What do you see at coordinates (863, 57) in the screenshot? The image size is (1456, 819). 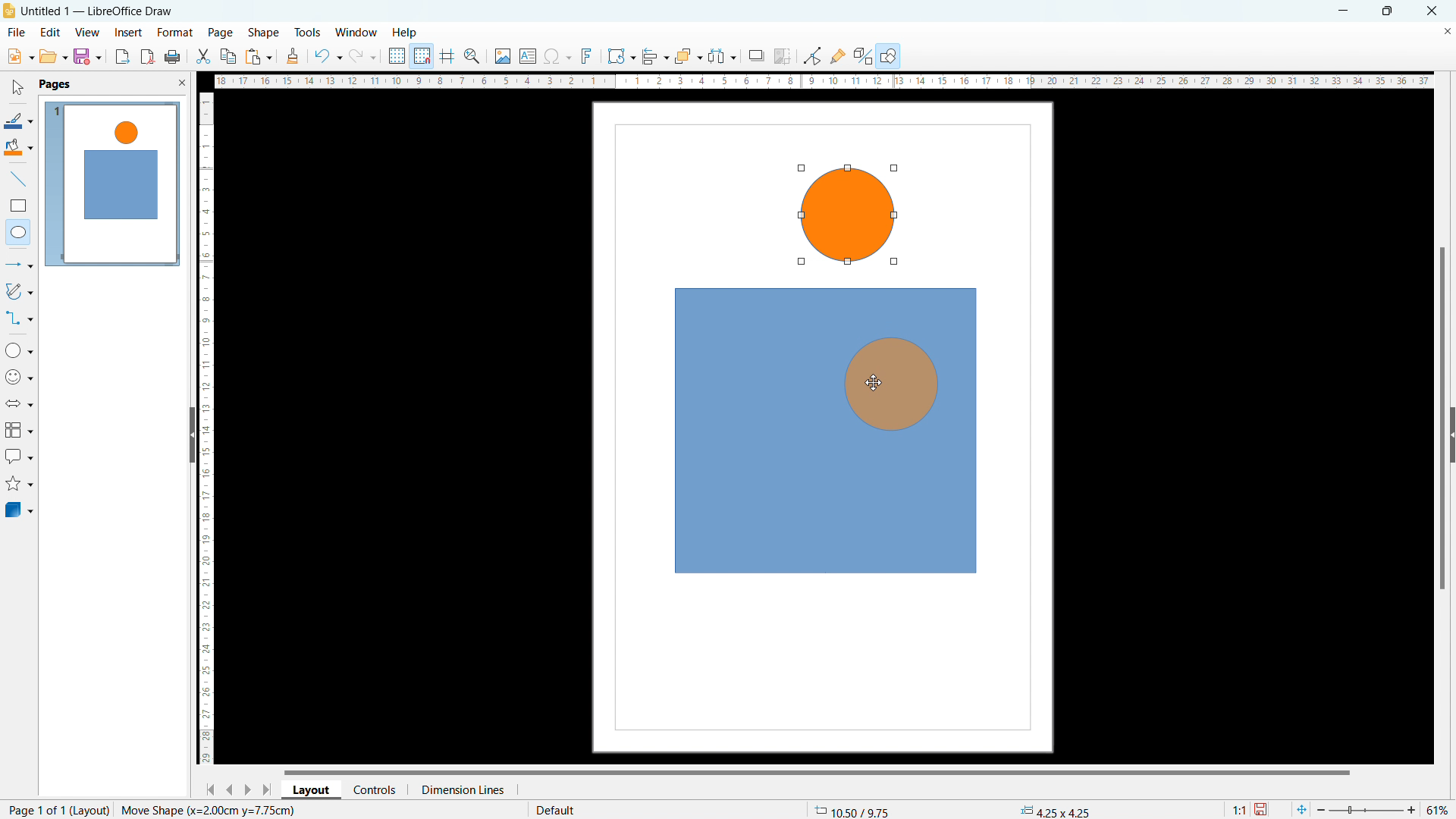 I see `show extrusion` at bounding box center [863, 57].